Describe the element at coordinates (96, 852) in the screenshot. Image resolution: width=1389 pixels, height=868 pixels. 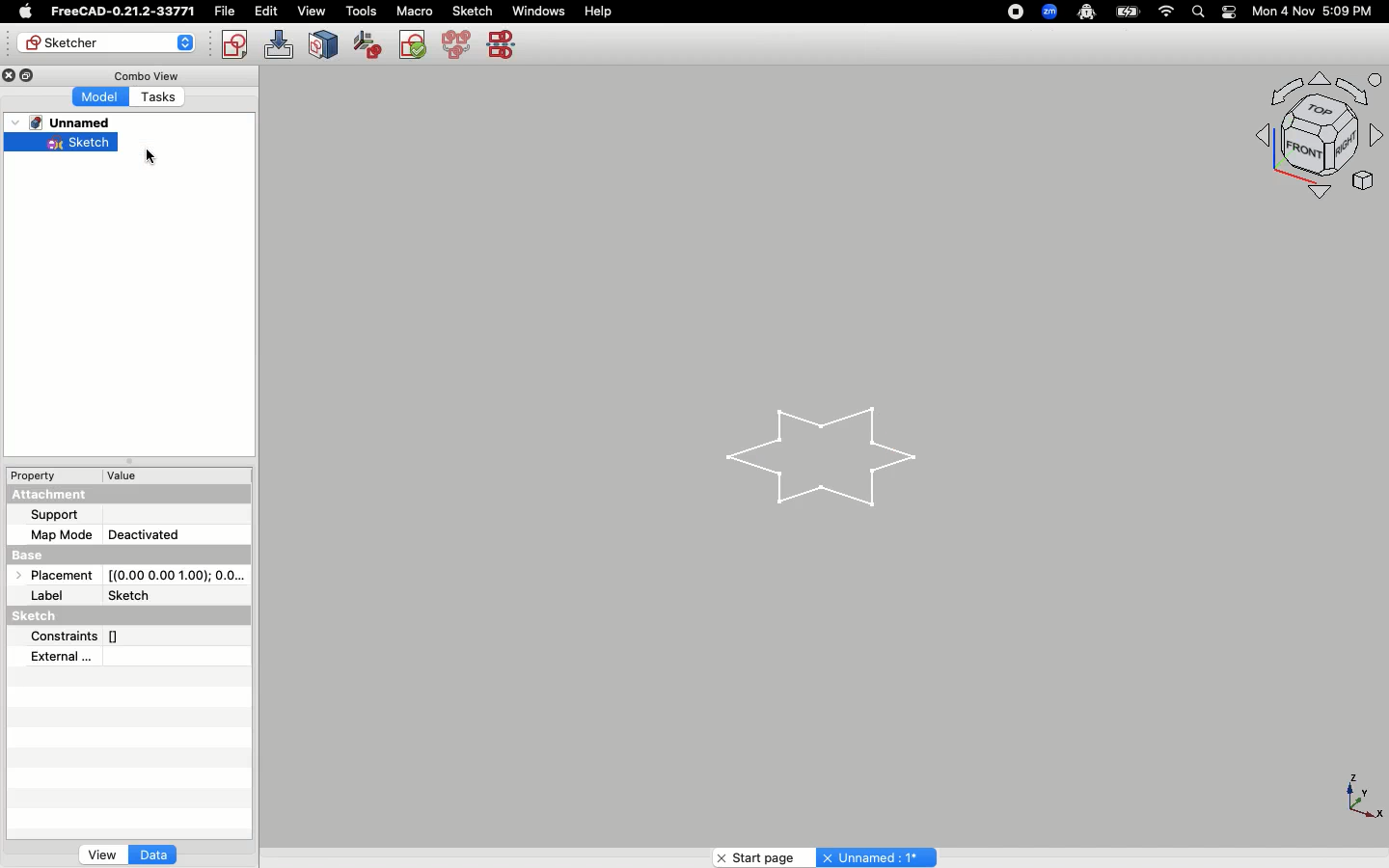
I see `View` at that location.